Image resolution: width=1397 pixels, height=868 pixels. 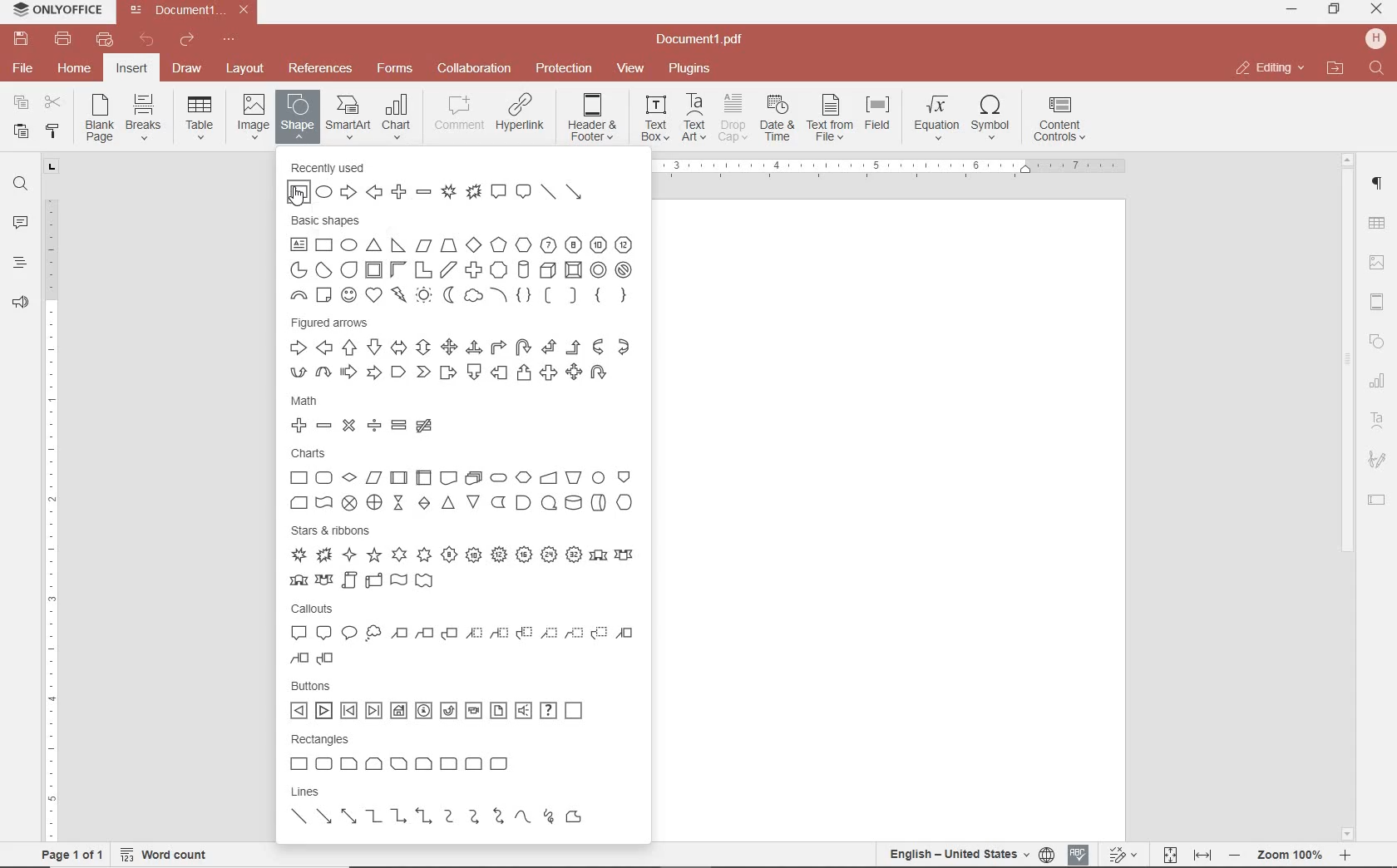 I want to click on DROP CAP, so click(x=733, y=118).